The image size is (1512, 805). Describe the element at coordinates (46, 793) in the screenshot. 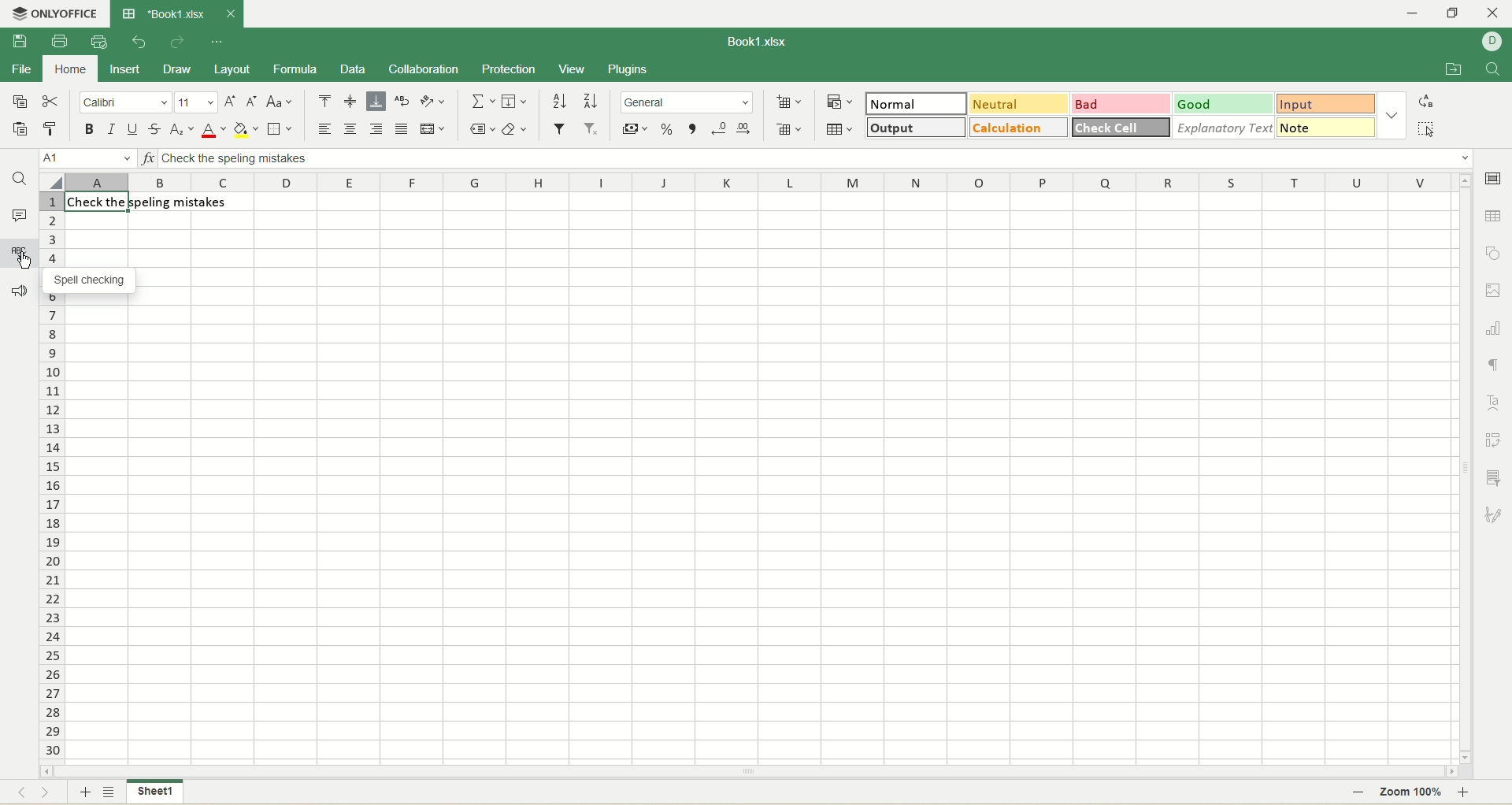

I see `next` at that location.